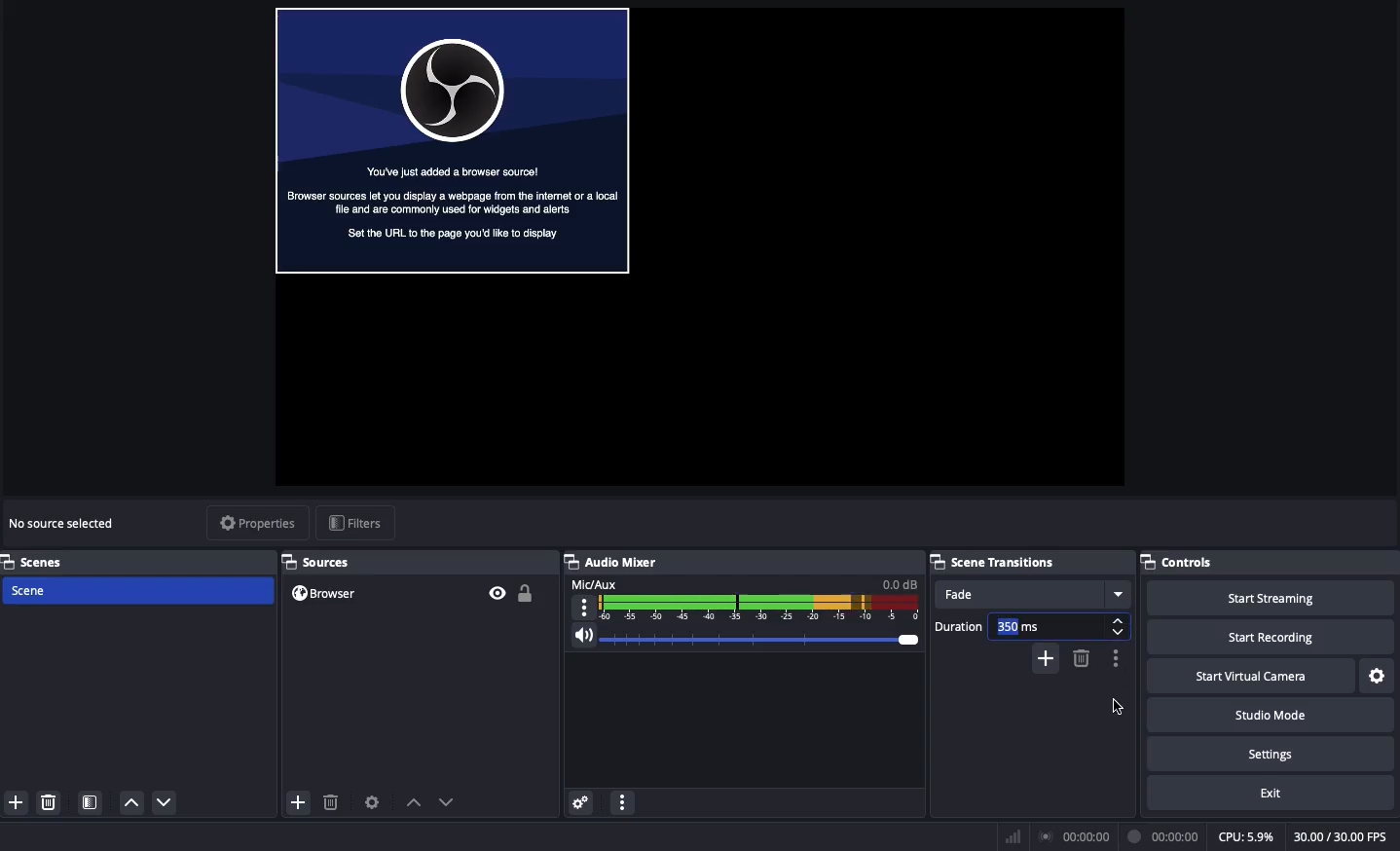  What do you see at coordinates (1014, 624) in the screenshot?
I see `Duration` at bounding box center [1014, 624].